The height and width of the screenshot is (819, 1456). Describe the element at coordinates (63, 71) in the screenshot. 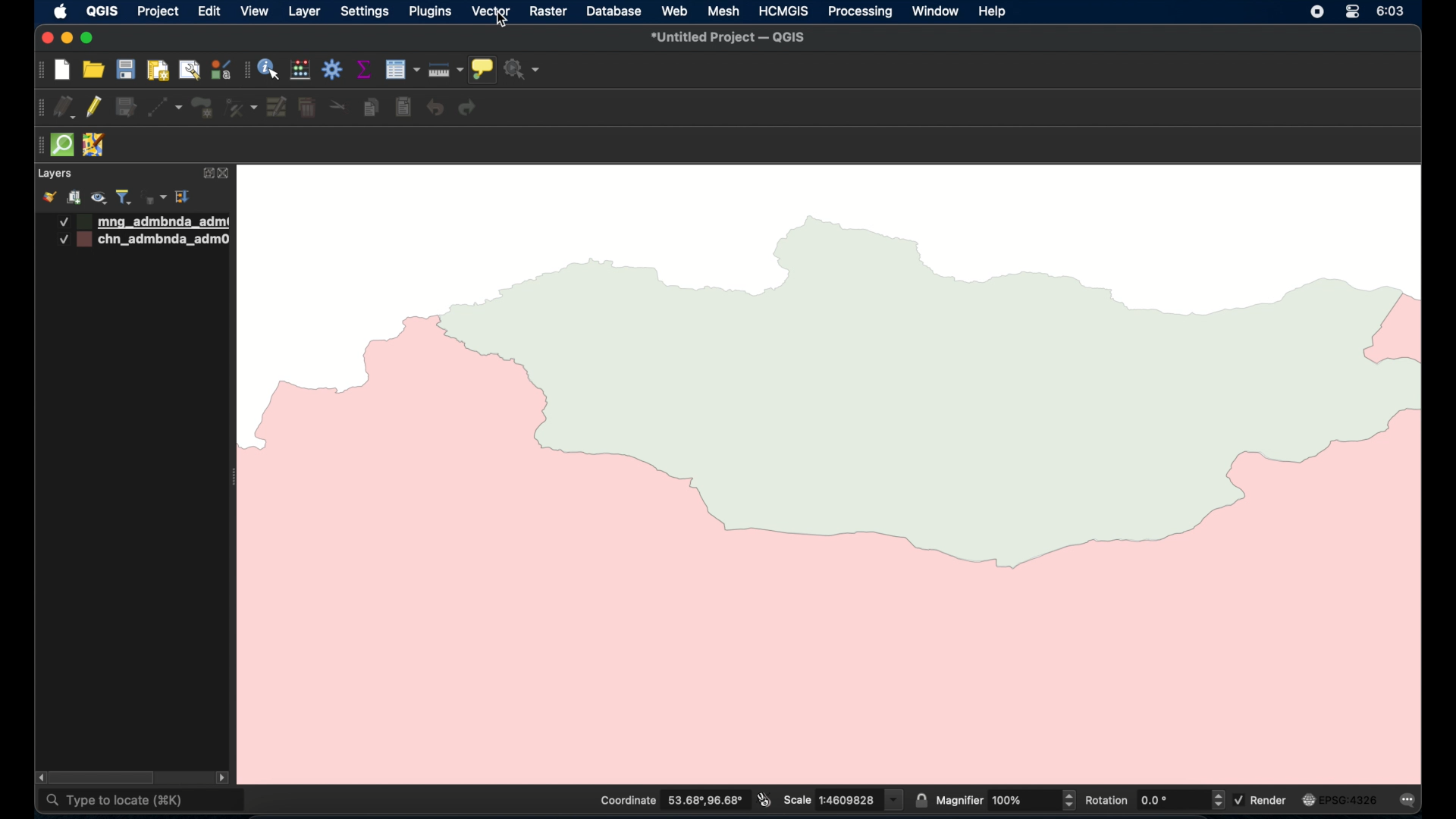

I see `new project` at that location.